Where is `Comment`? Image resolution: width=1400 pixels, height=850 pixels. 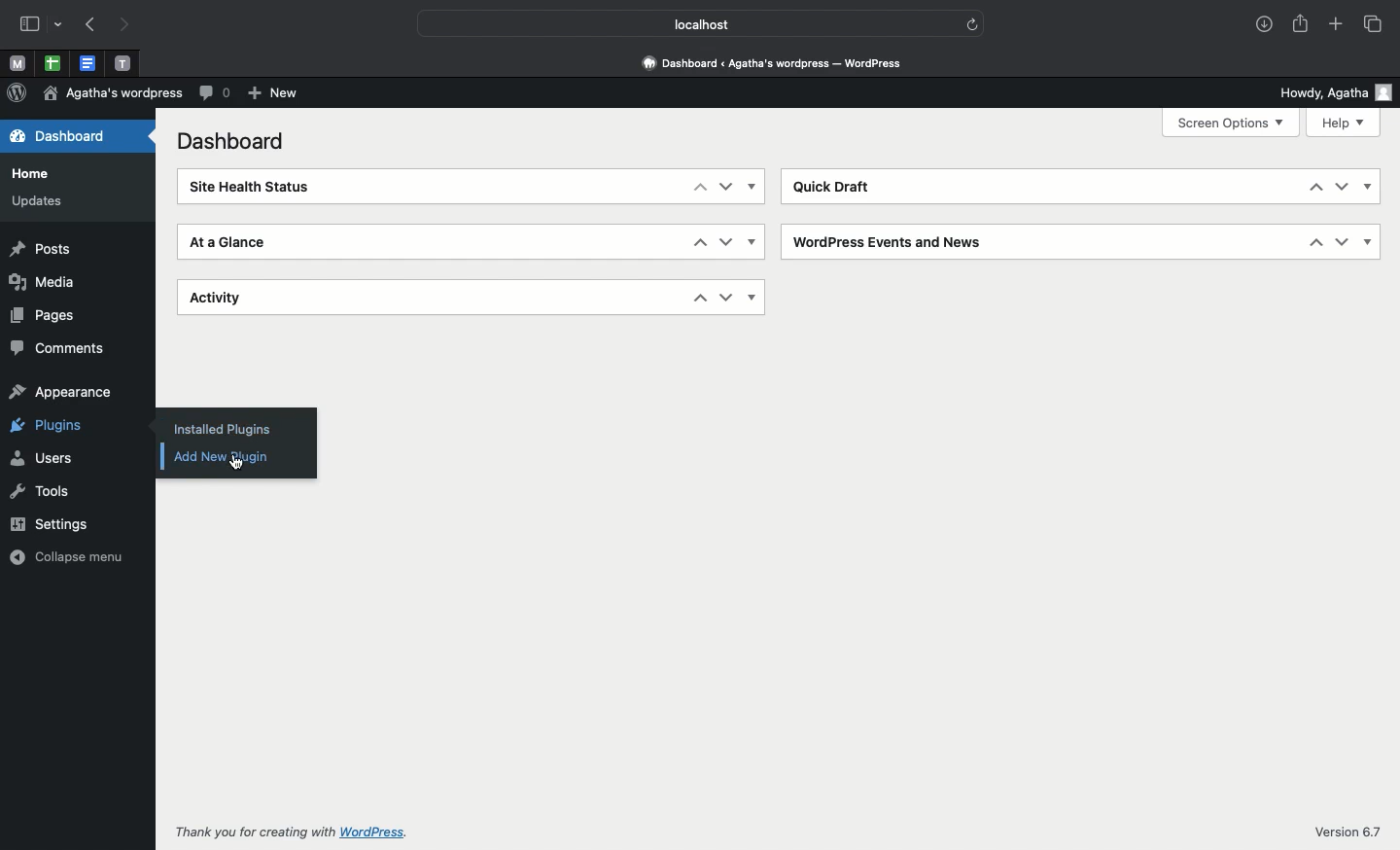
Comment is located at coordinates (213, 94).